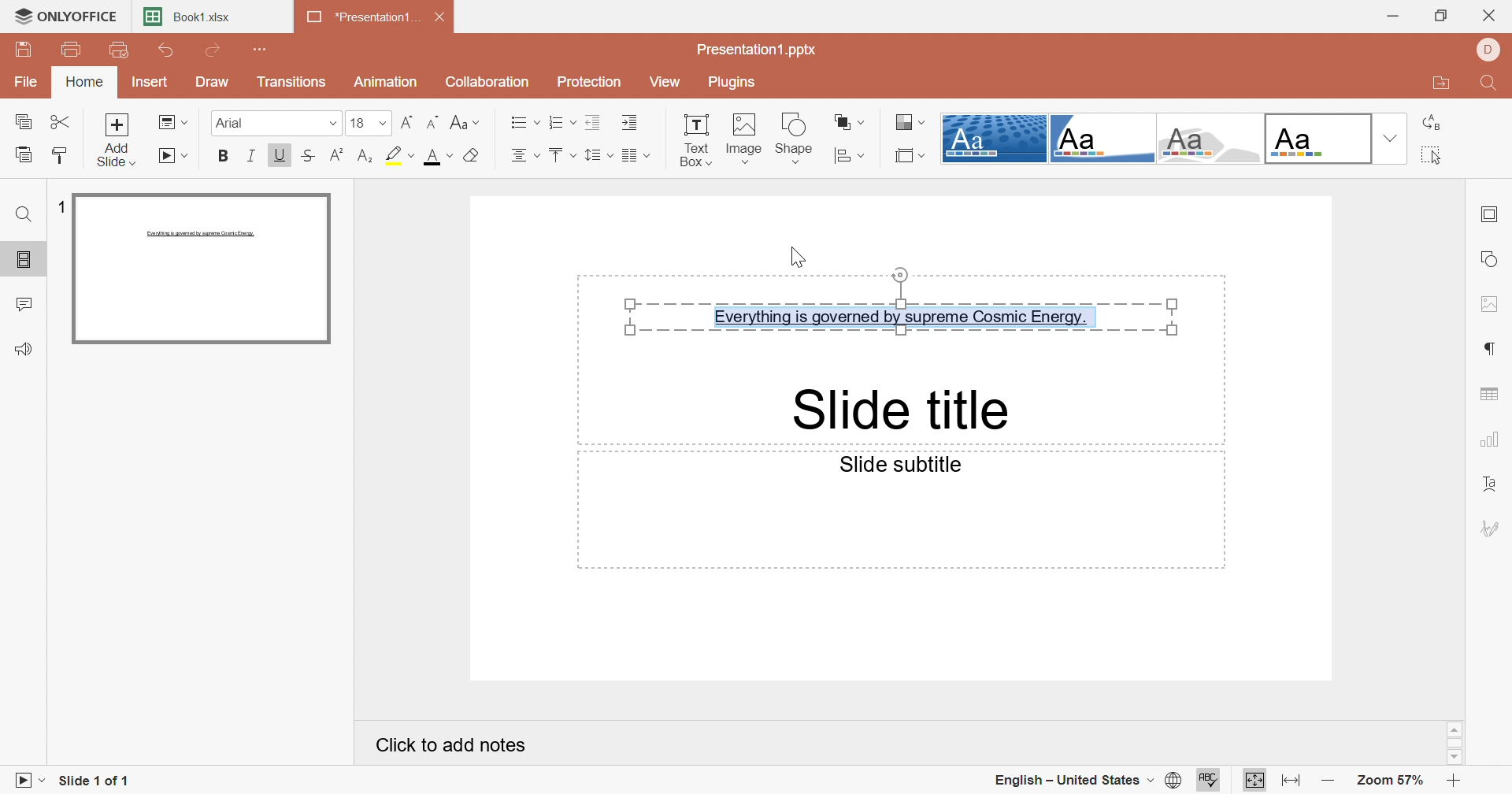 Image resolution: width=1512 pixels, height=794 pixels. I want to click on Paragraph settings, so click(1496, 346).